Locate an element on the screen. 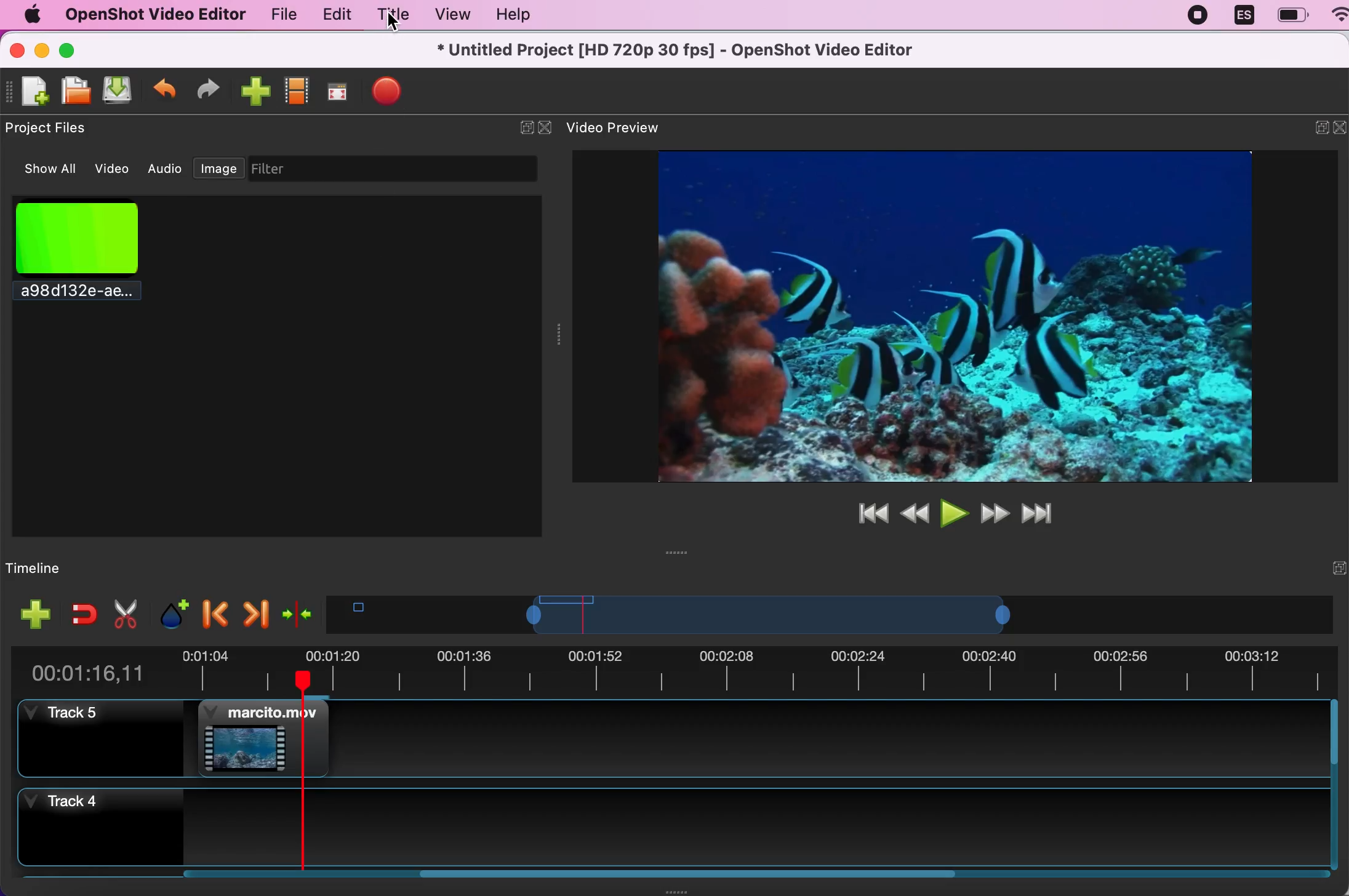  choose profile is located at coordinates (298, 89).